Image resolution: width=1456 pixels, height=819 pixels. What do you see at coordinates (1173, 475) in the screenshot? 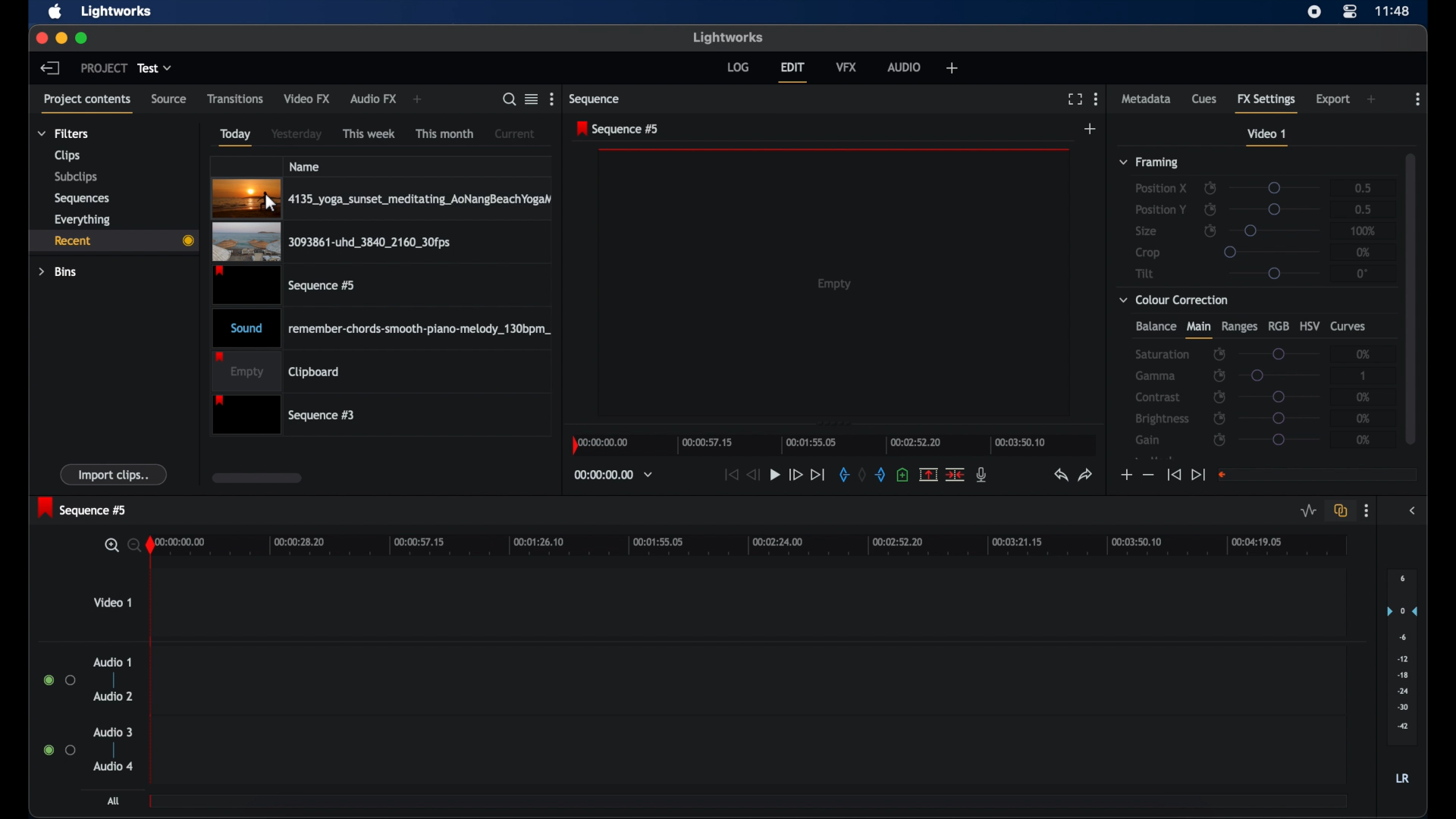
I see `jump to start` at bounding box center [1173, 475].